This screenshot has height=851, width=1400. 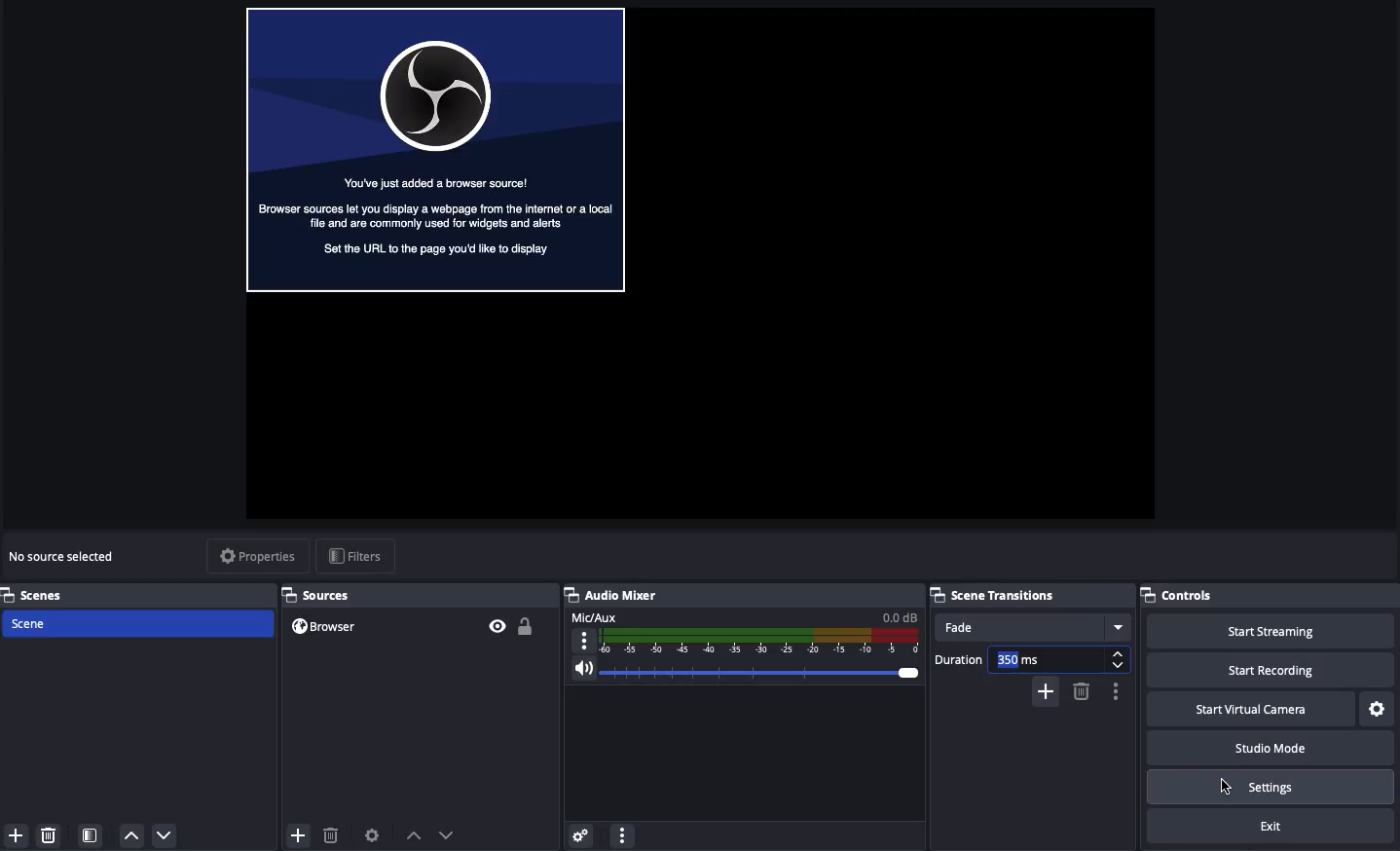 I want to click on Properties, so click(x=257, y=557).